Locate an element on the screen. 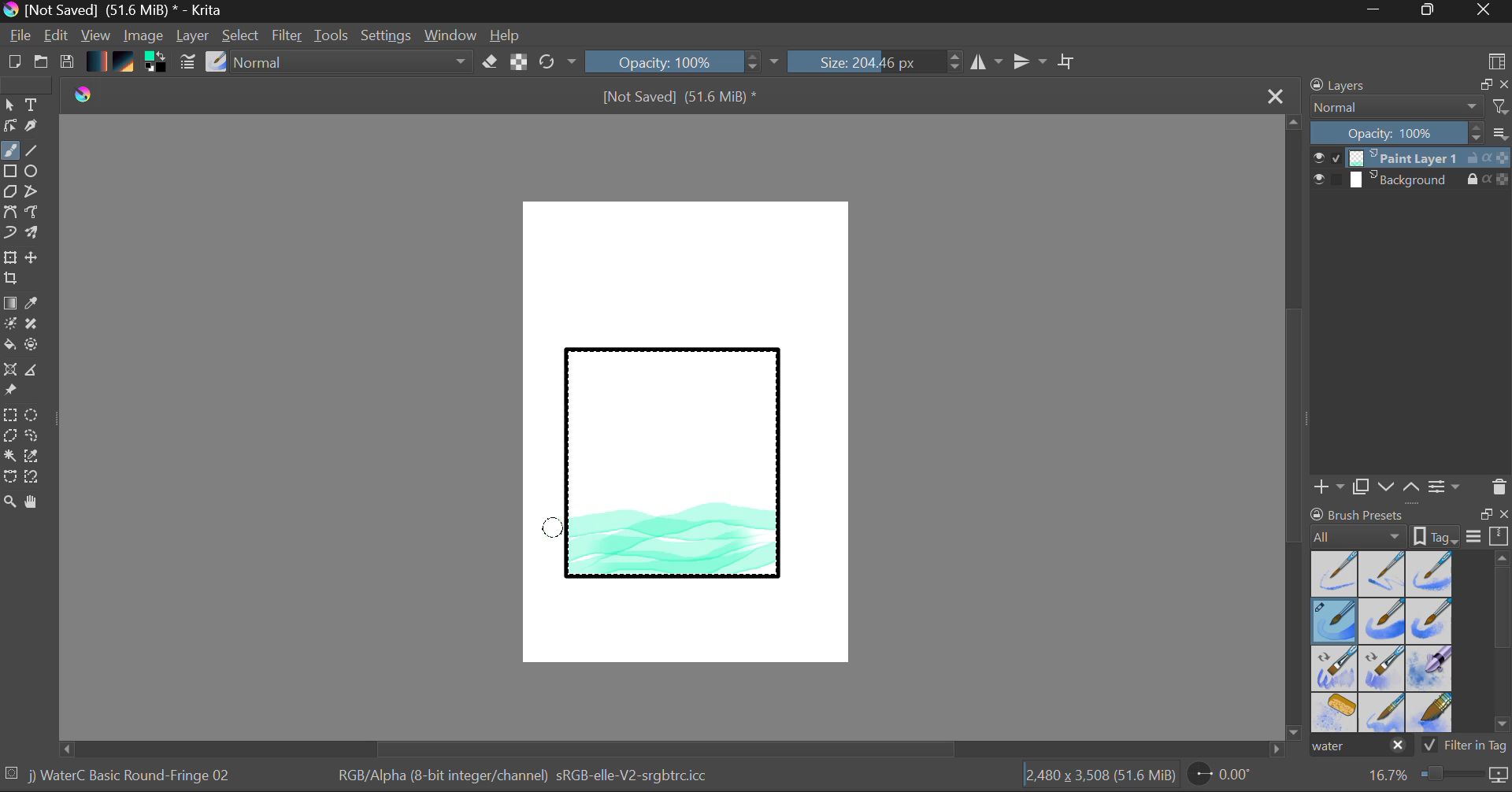 The image size is (1512, 792). Water C - Decay Tilt is located at coordinates (1382, 667).